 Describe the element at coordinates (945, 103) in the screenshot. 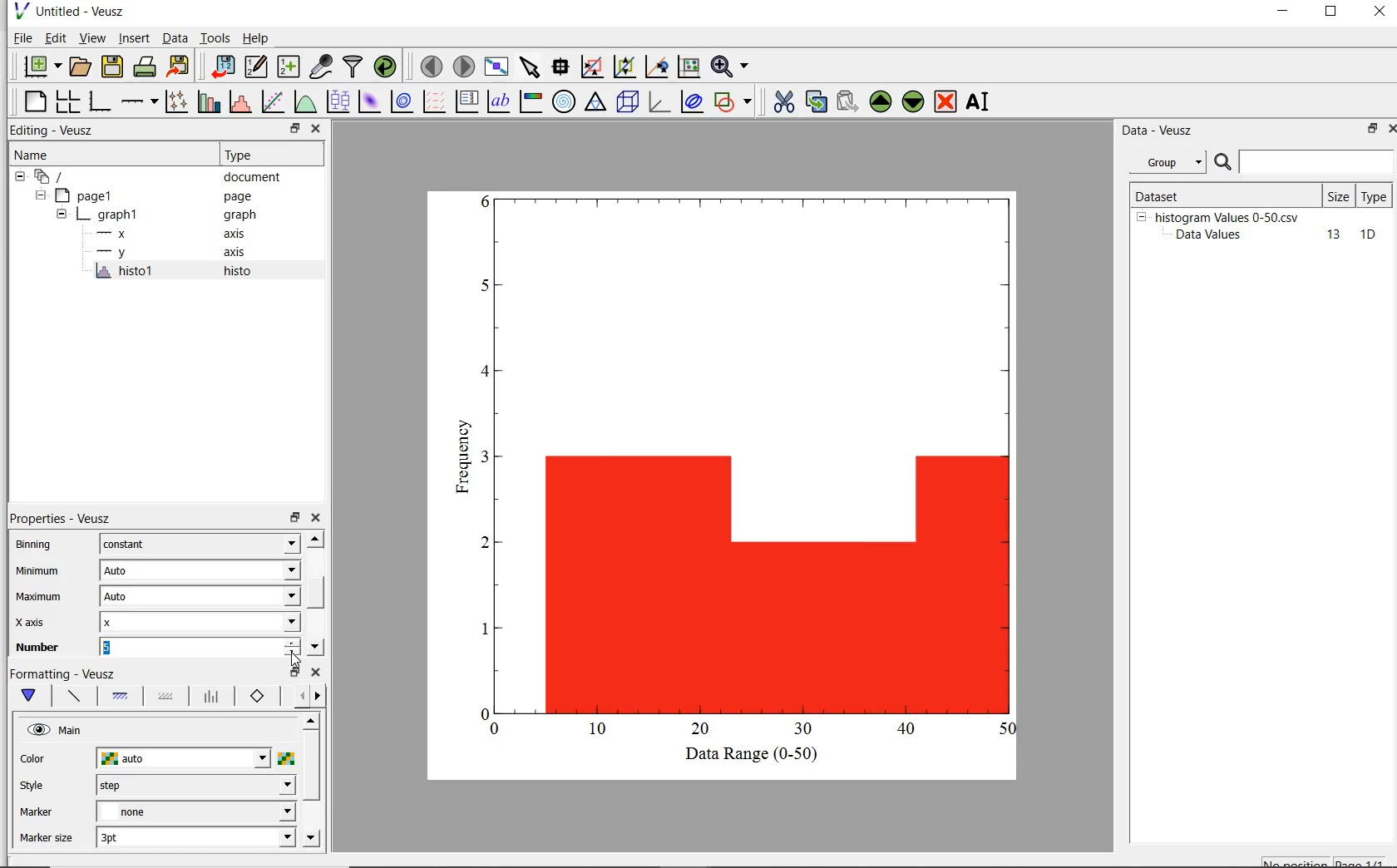

I see `remove the selected widget` at that location.